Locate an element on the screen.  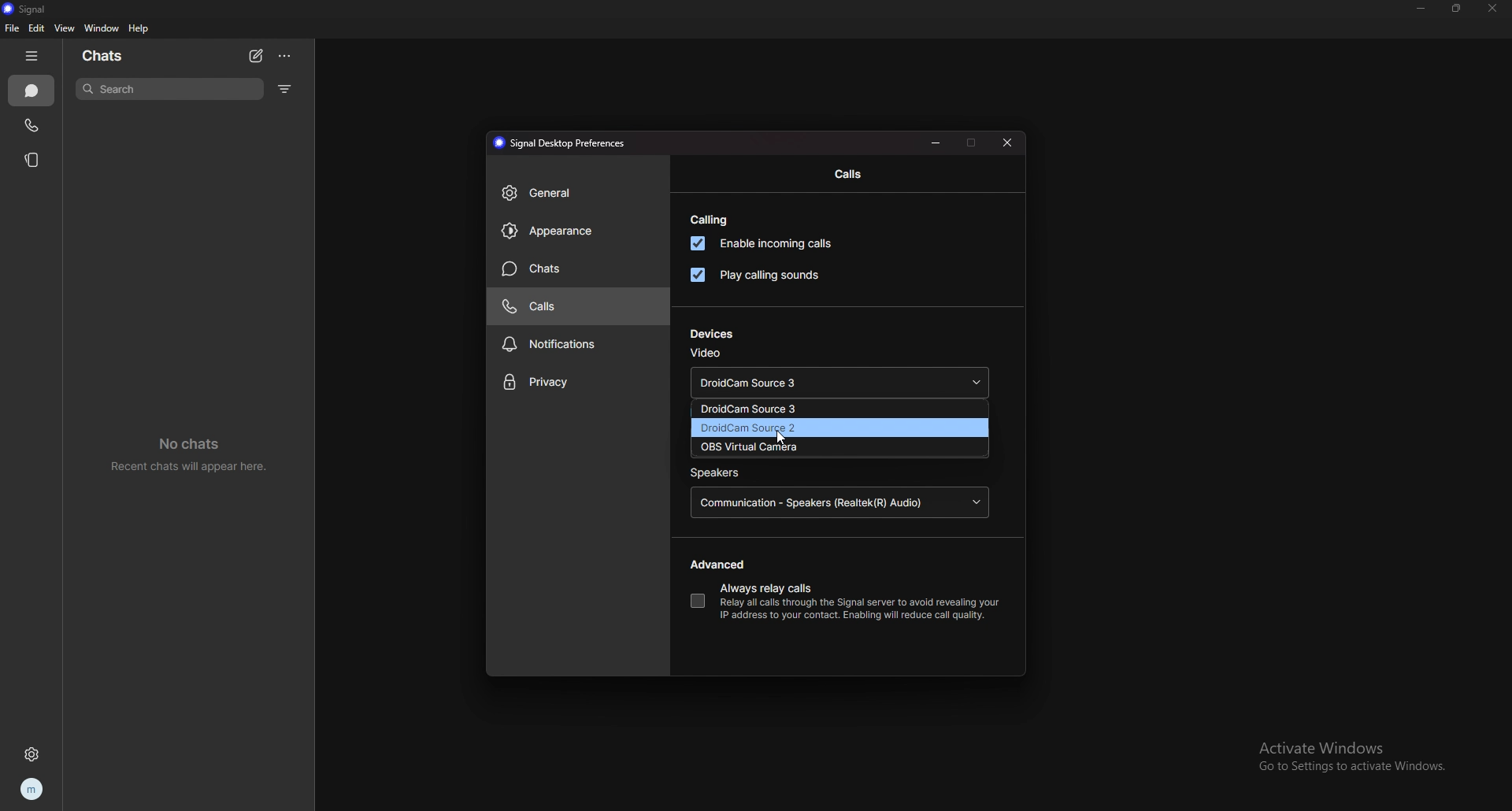
play calling sounds is located at coordinates (754, 275).